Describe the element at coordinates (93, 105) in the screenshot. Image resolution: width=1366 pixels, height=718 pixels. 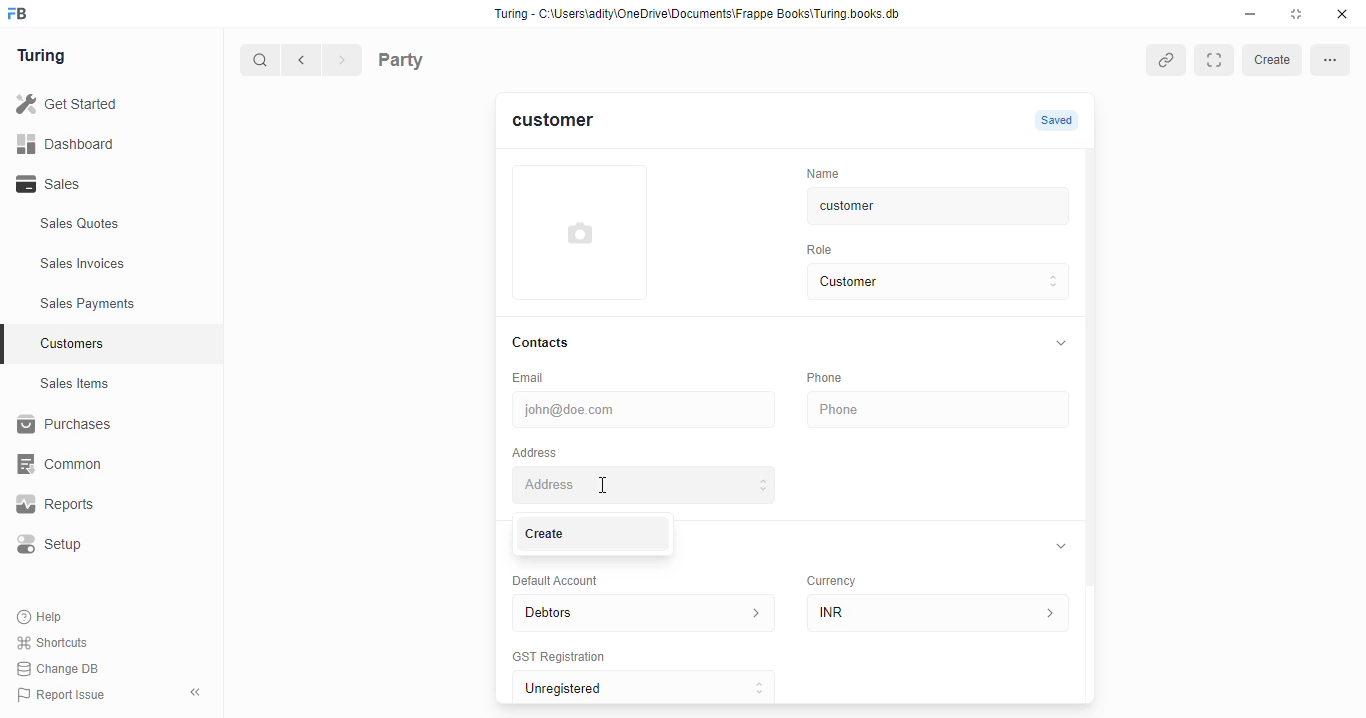
I see `Get Started` at that location.